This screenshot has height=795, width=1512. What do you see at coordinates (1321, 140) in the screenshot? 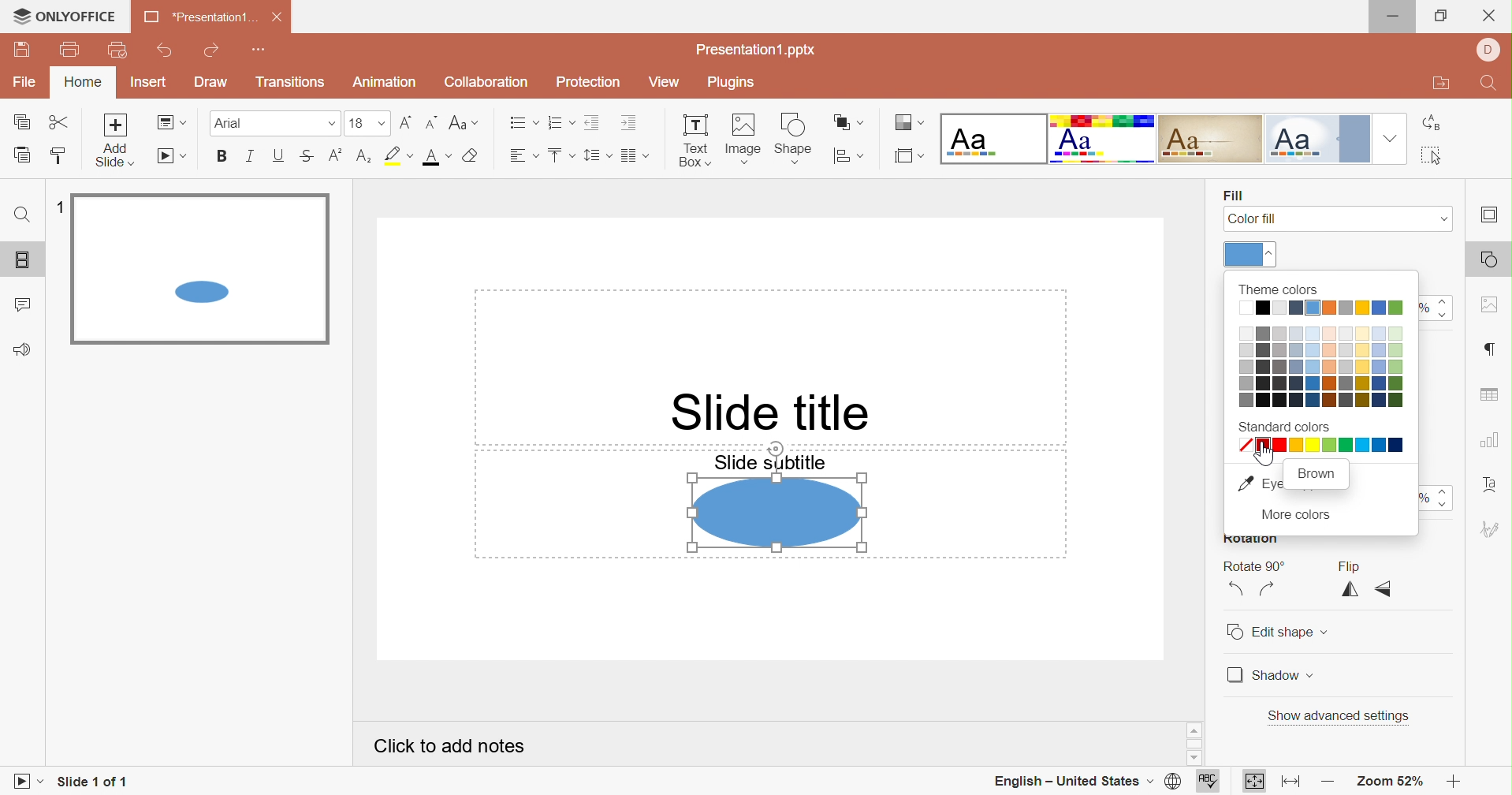
I see `Official` at bounding box center [1321, 140].